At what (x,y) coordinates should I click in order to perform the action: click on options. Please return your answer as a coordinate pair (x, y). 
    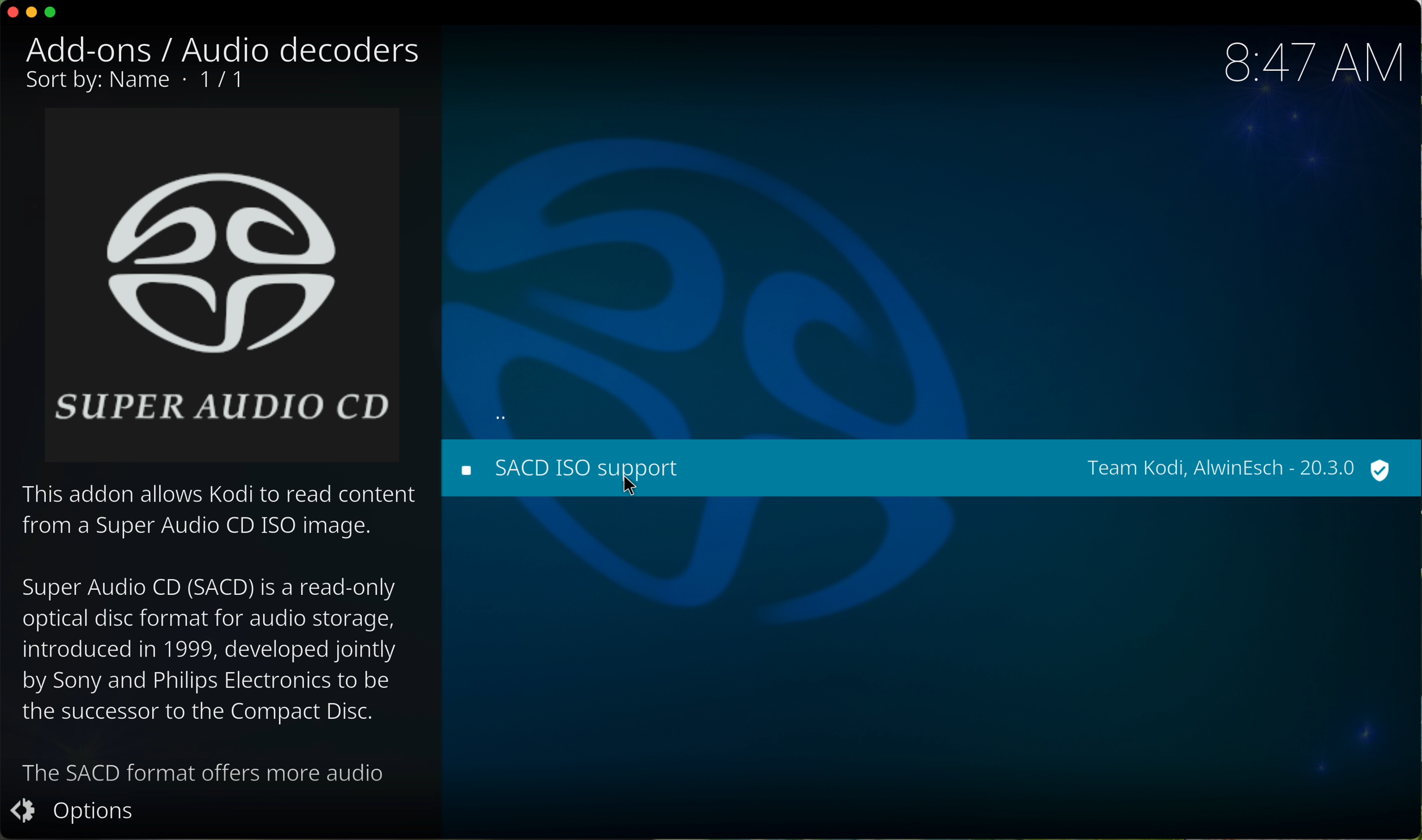
    Looking at the image, I should click on (75, 818).